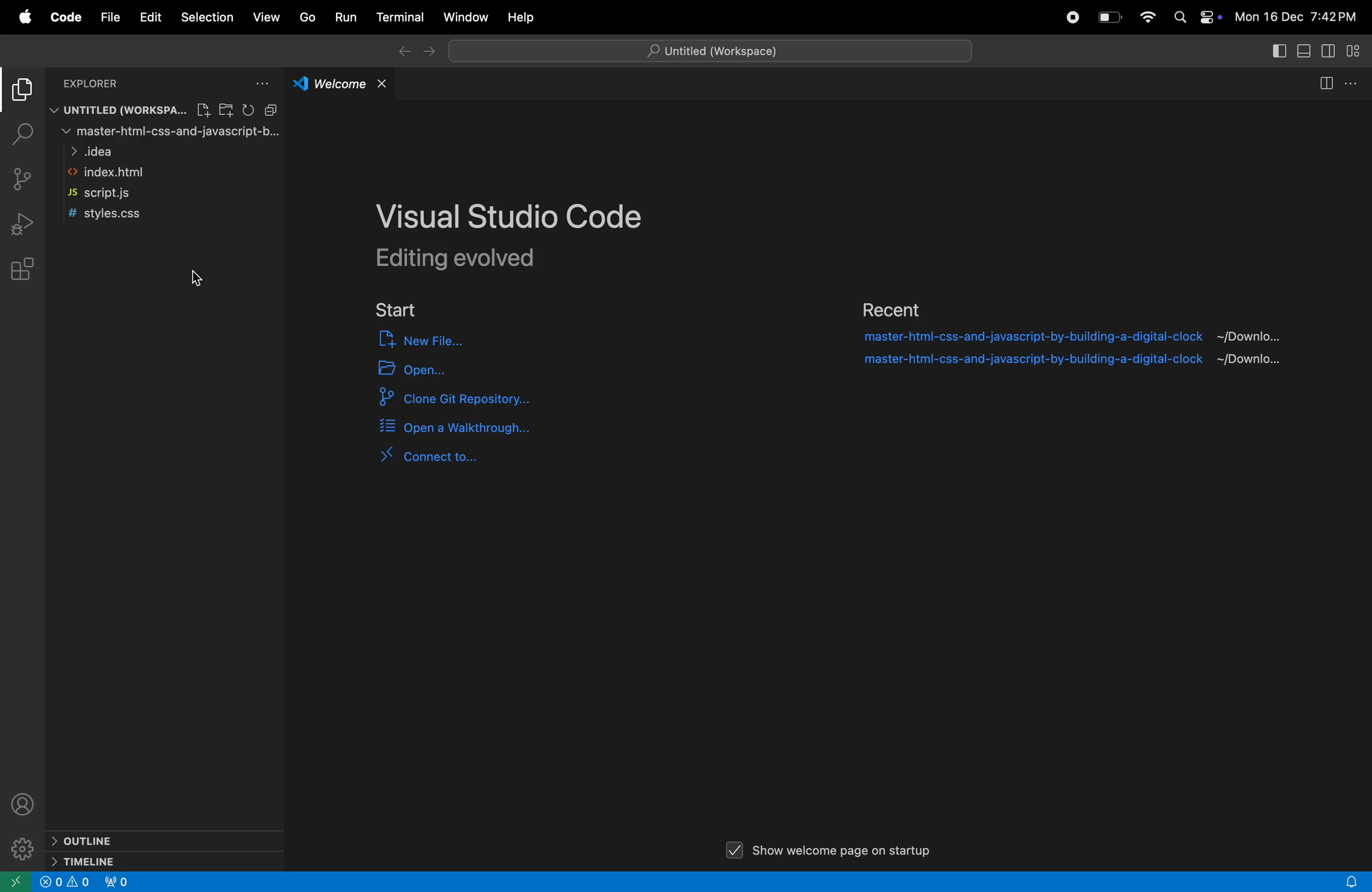 This screenshot has width=1372, height=892. What do you see at coordinates (24, 134) in the screenshot?
I see `serach` at bounding box center [24, 134].